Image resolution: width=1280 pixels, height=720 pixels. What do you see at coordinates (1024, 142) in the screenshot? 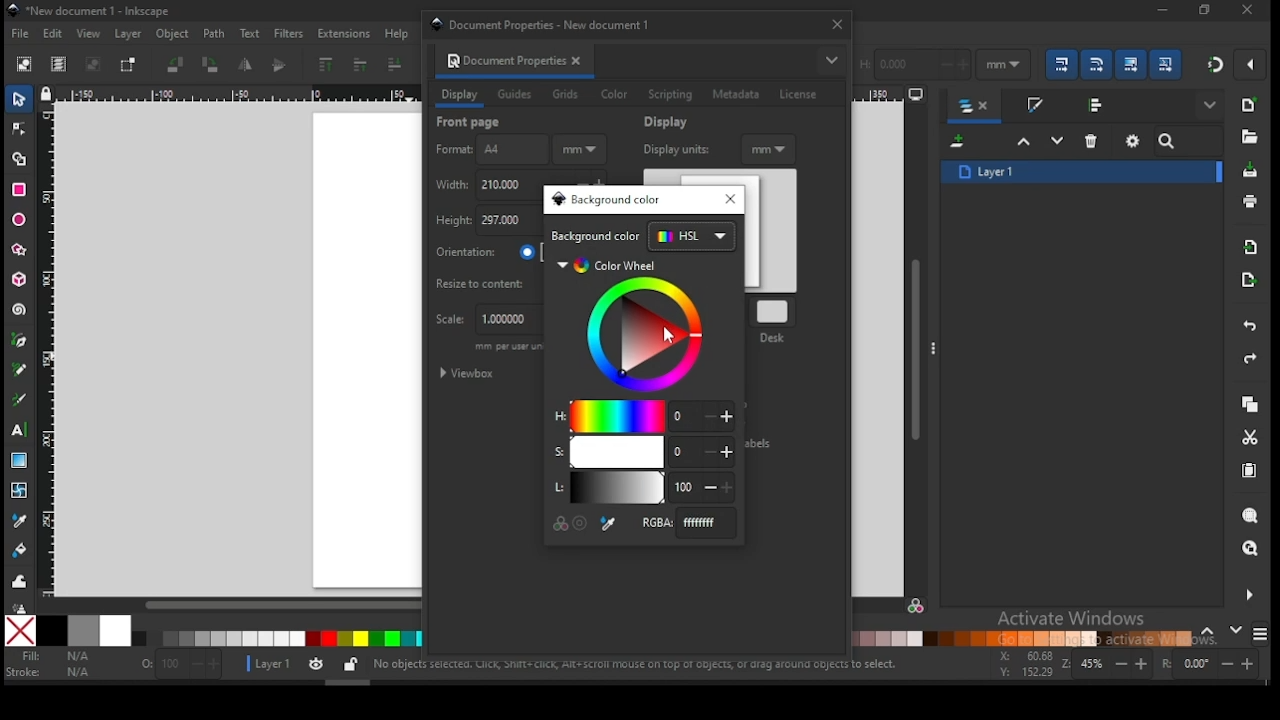
I see `raiseselection one step` at bounding box center [1024, 142].